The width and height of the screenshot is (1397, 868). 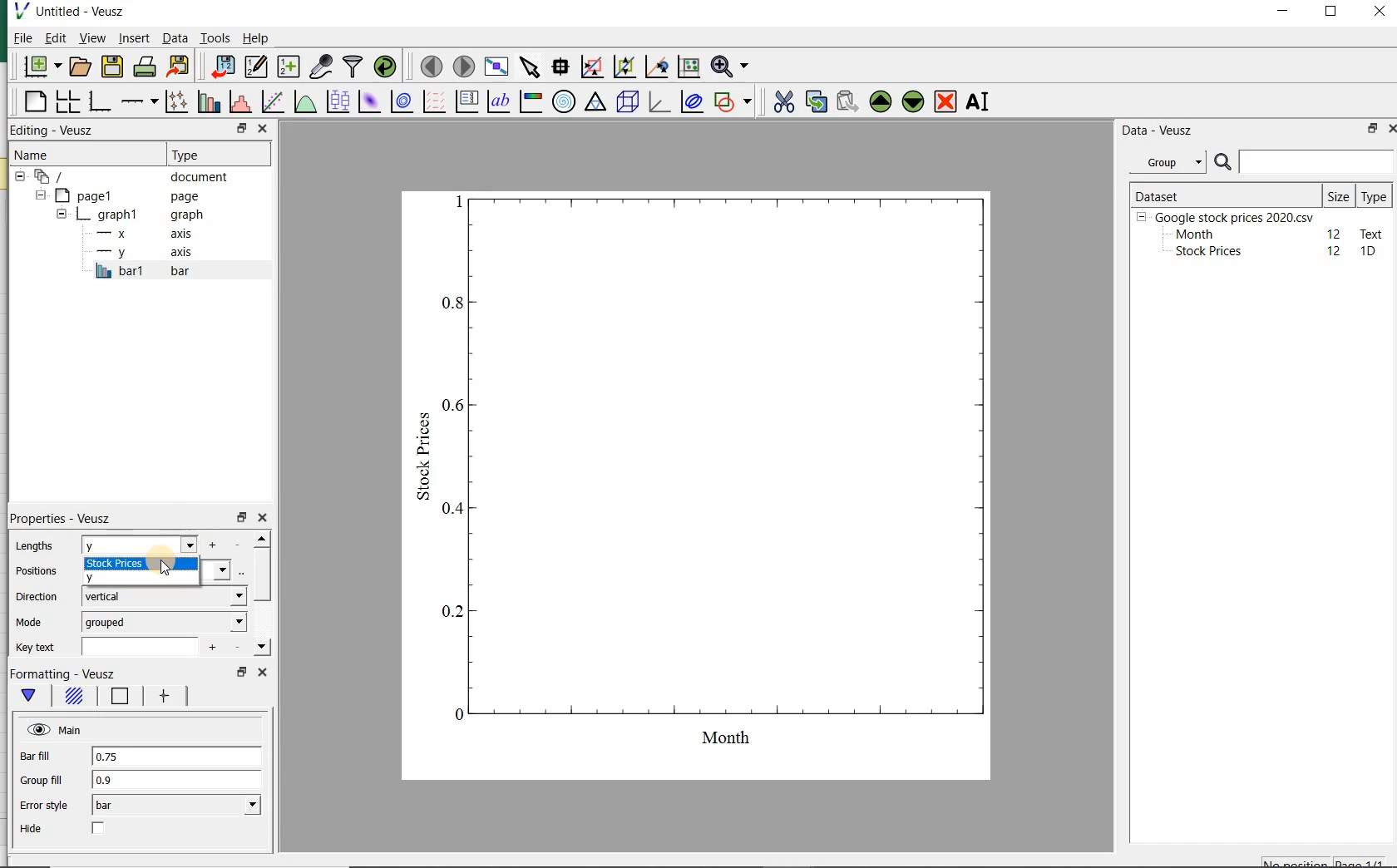 I want to click on edit and enter new datasets, so click(x=255, y=67).